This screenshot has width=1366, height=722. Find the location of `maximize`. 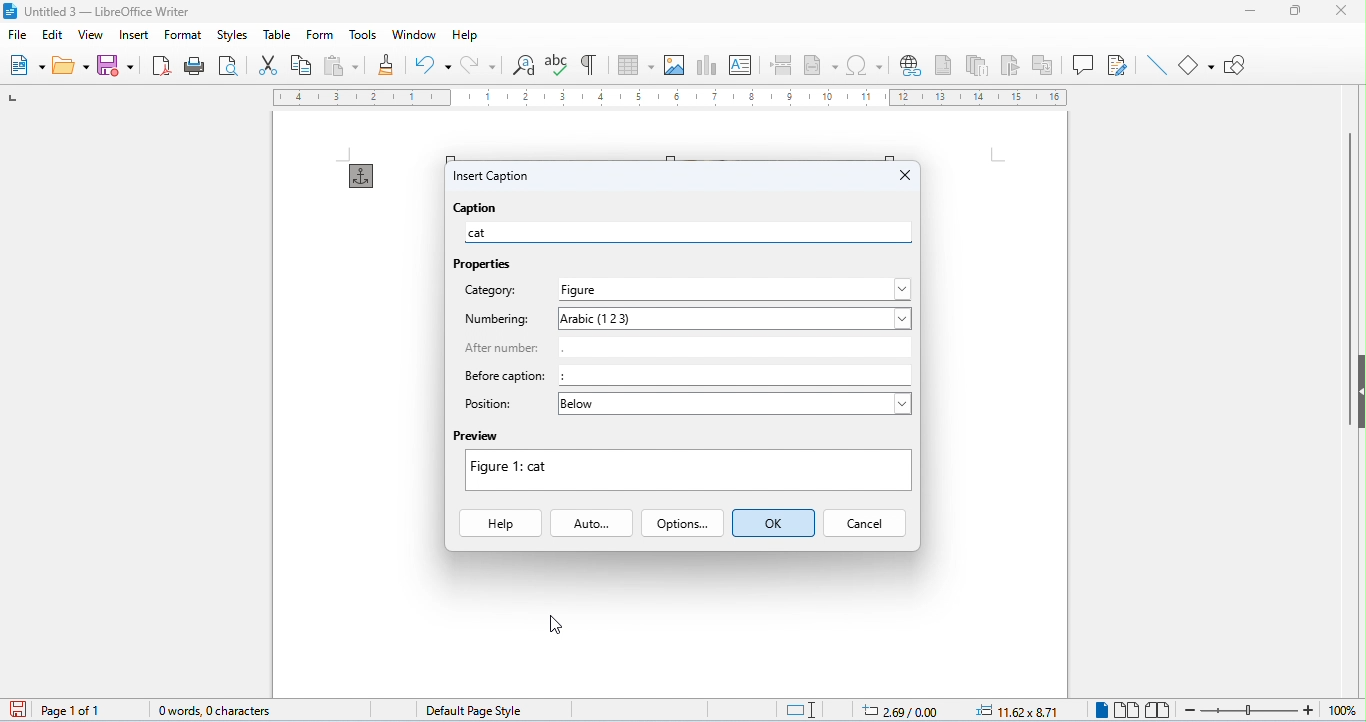

maximize is located at coordinates (1293, 12).